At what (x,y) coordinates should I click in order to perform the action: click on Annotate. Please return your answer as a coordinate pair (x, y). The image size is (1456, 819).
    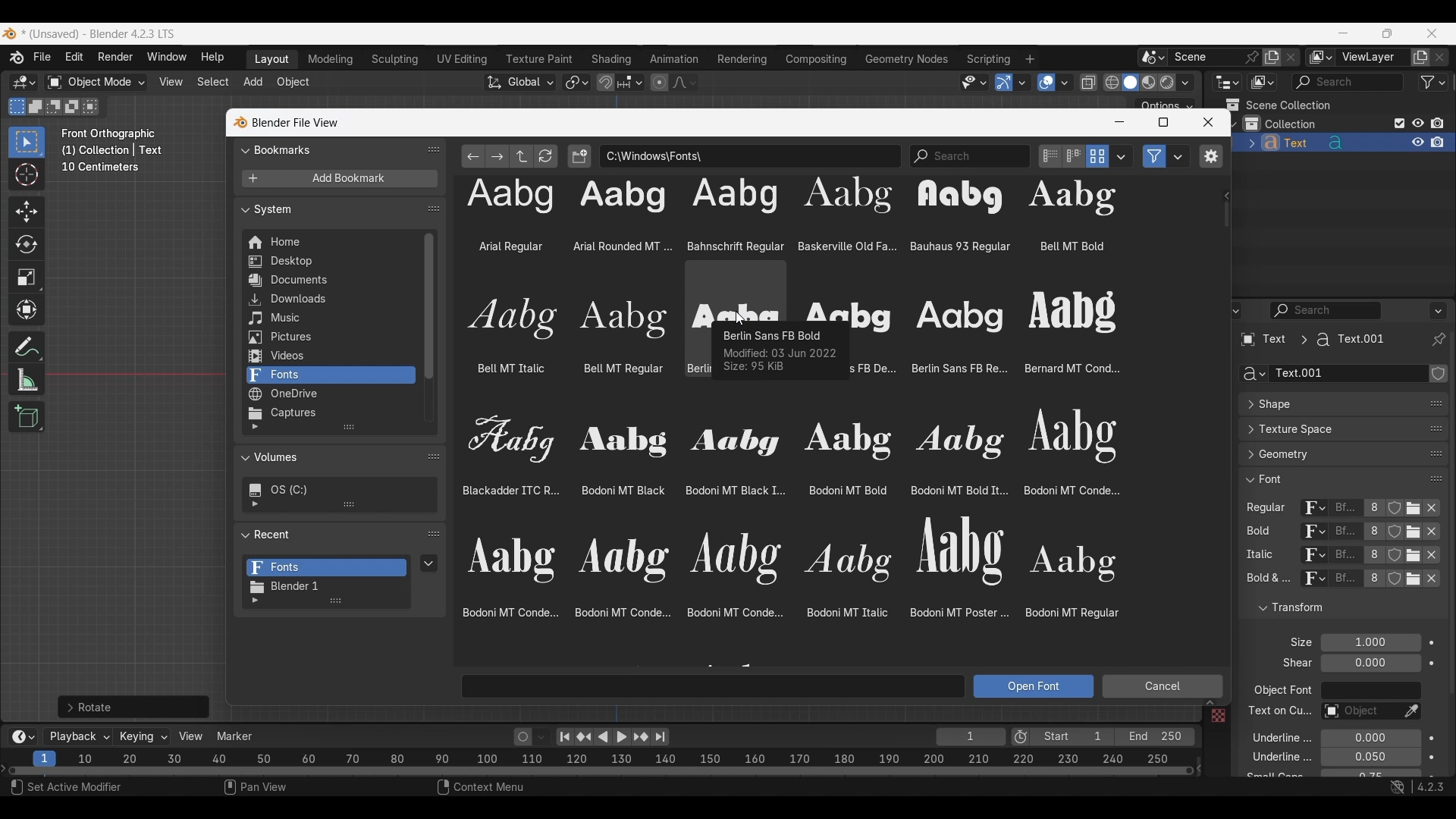
    Looking at the image, I should click on (27, 347).